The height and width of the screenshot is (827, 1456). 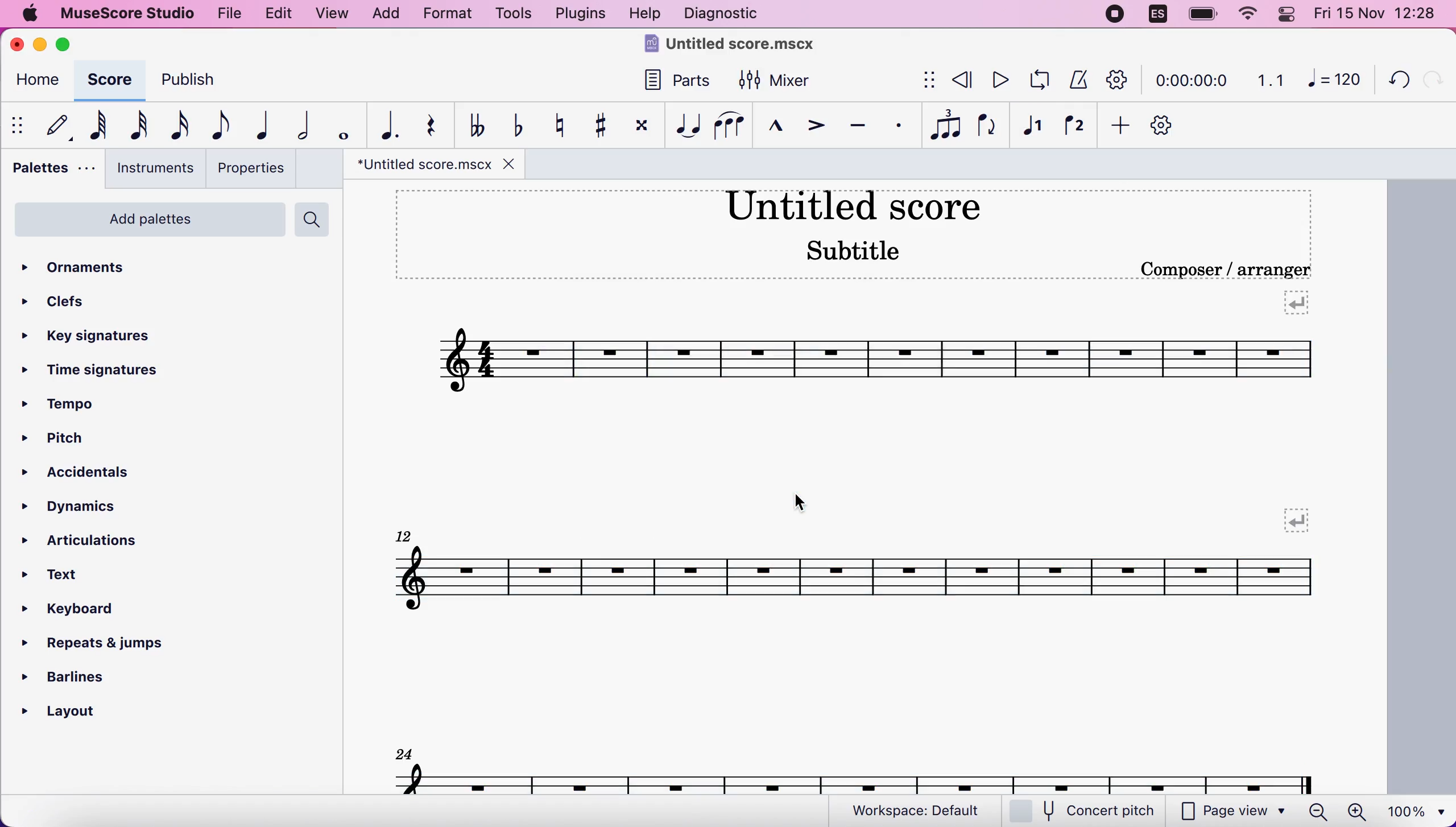 What do you see at coordinates (1159, 17) in the screenshot?
I see `language` at bounding box center [1159, 17].